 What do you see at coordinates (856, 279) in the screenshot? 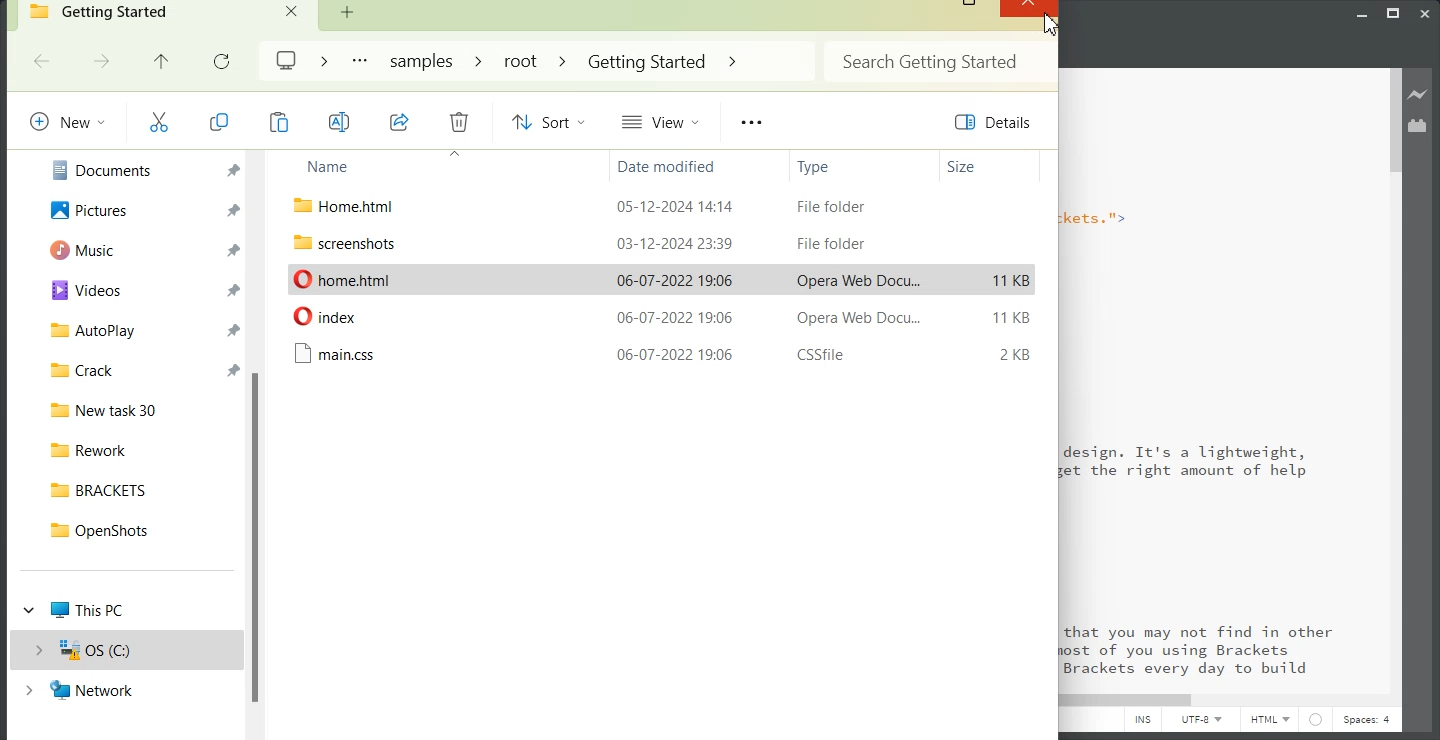
I see `Opera Web Document` at bounding box center [856, 279].